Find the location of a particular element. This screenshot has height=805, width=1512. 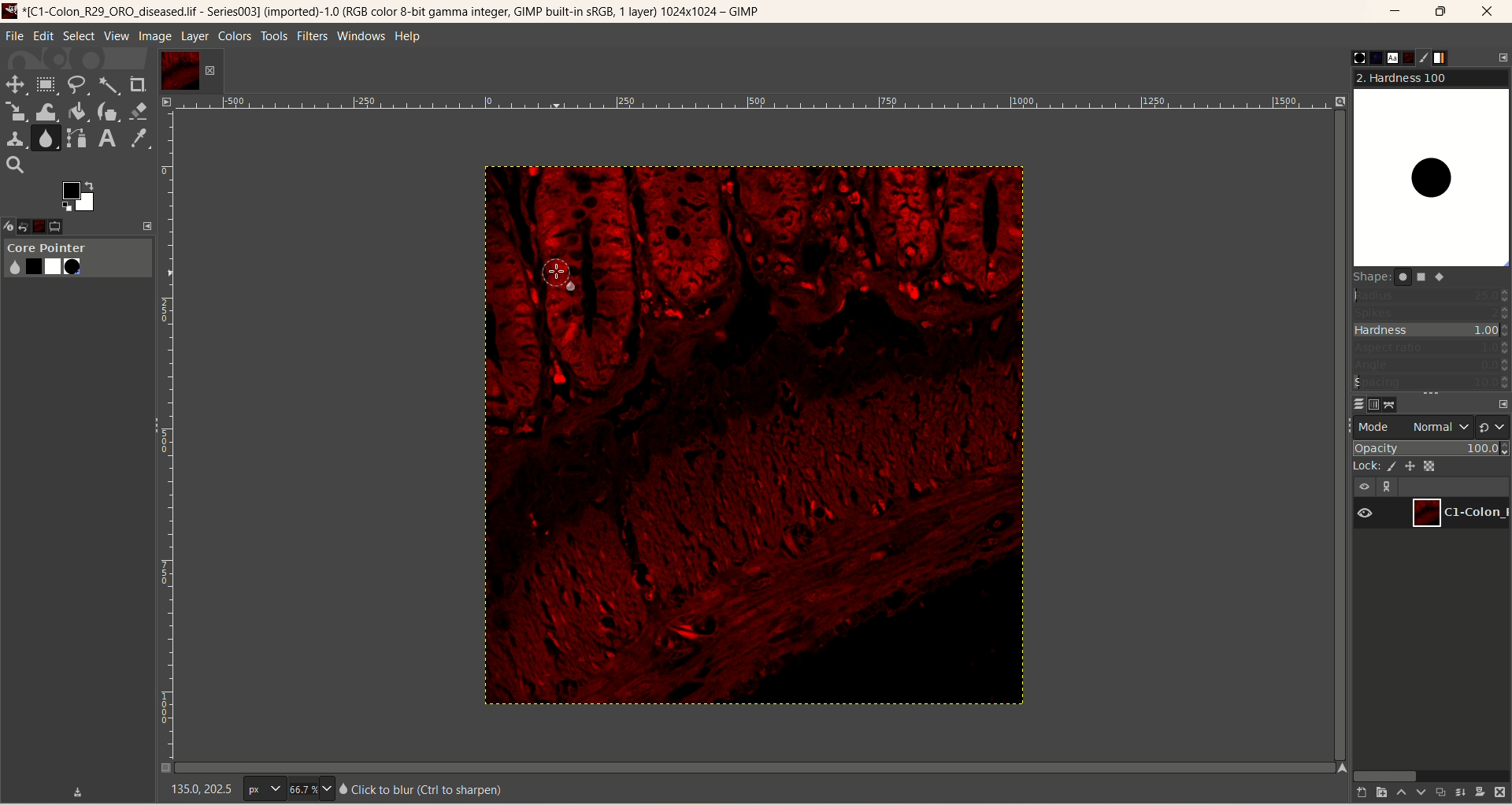

brush editor is located at coordinates (1427, 57).